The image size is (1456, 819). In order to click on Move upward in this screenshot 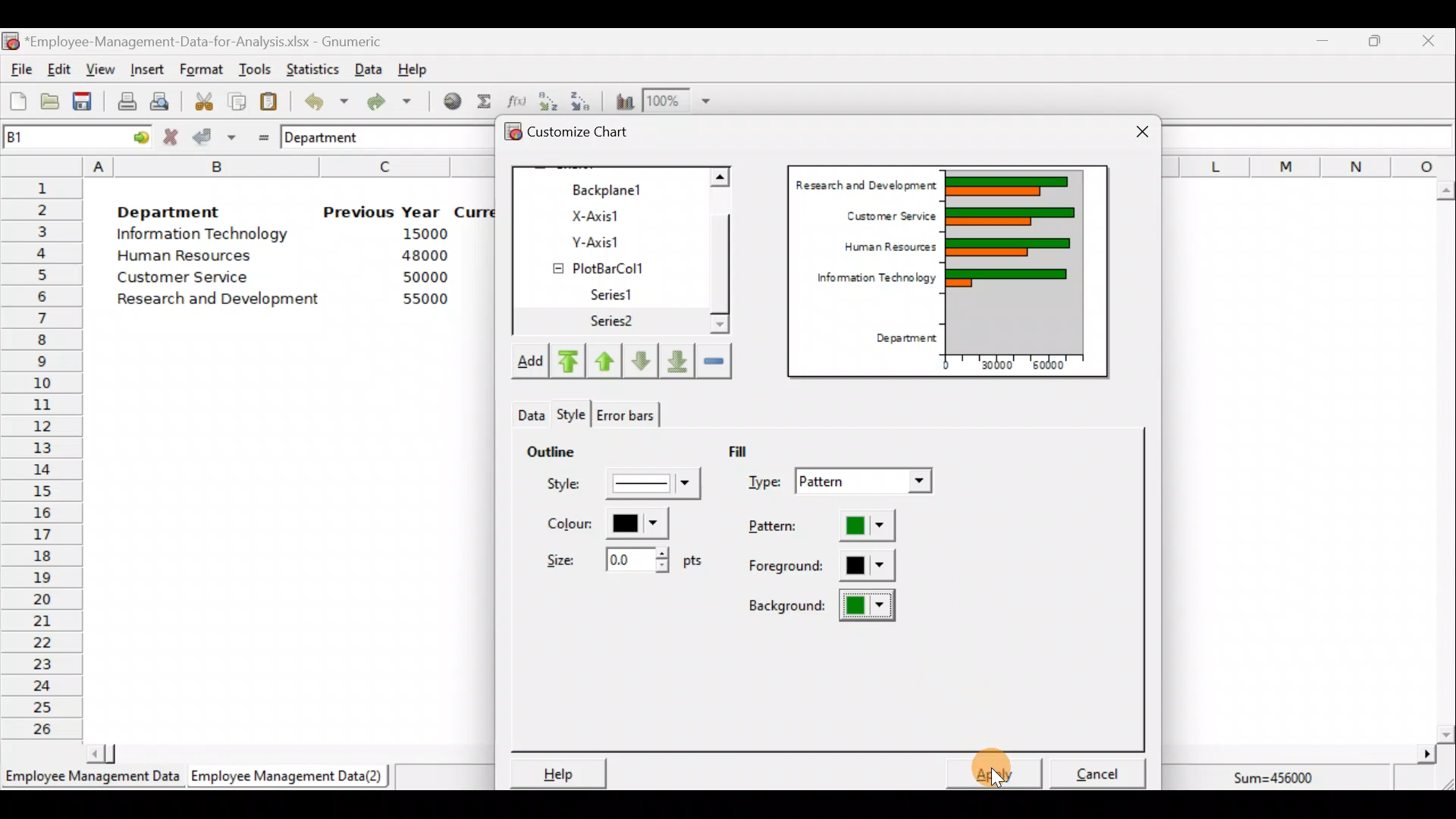, I will do `click(566, 362)`.